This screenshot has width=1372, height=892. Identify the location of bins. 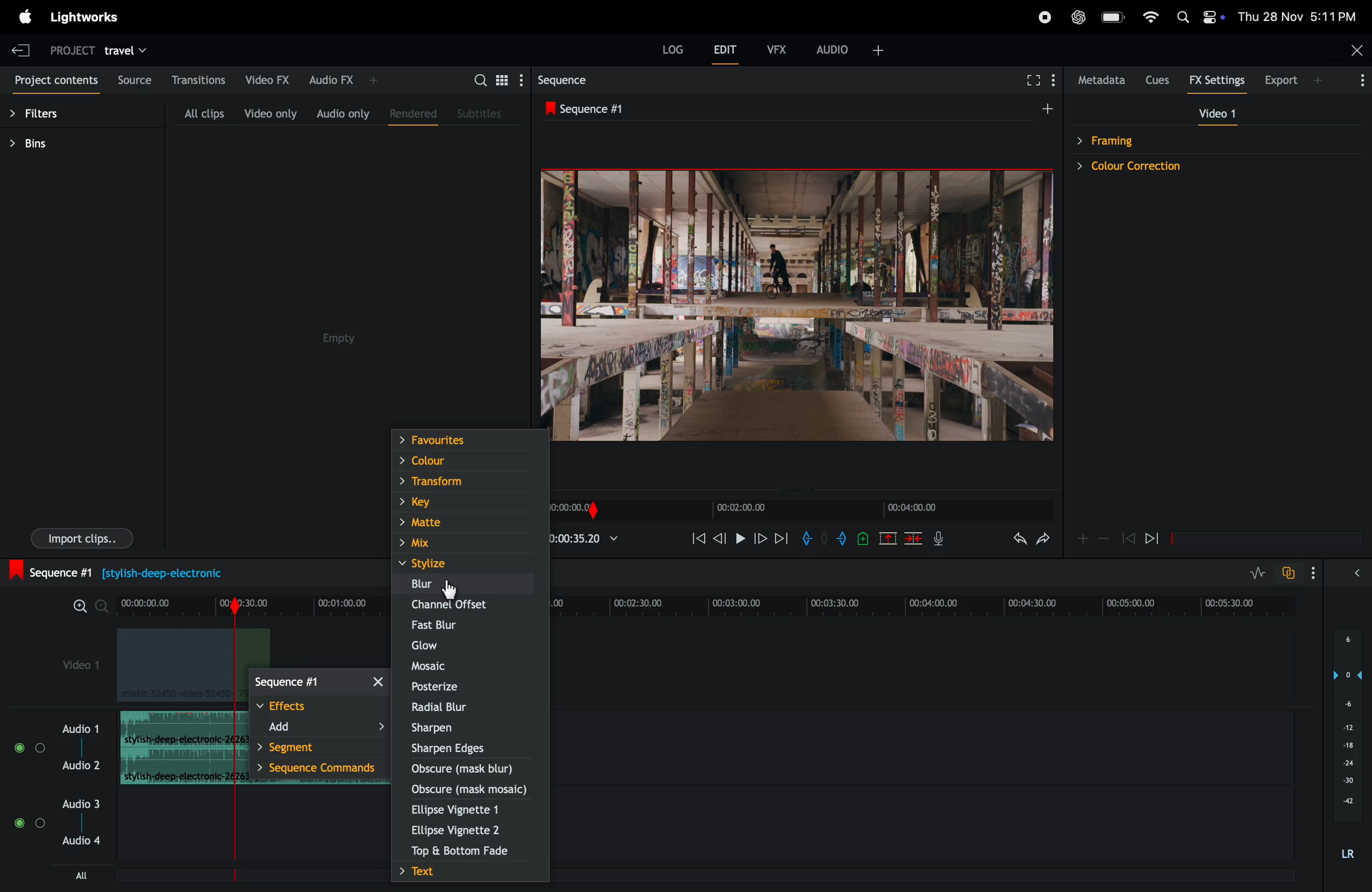
(57, 146).